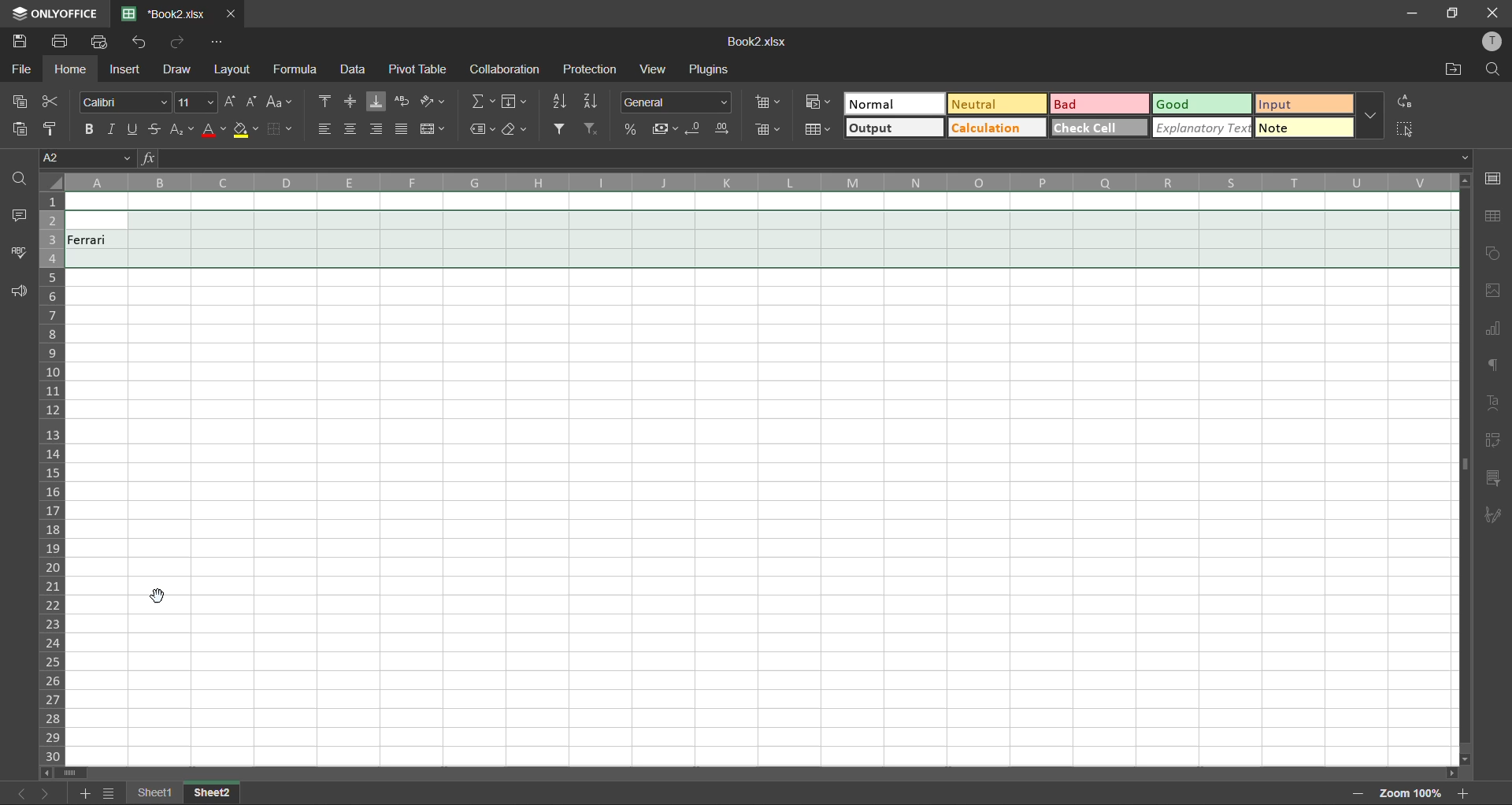 The width and height of the screenshot is (1512, 805). What do you see at coordinates (754, 239) in the screenshot?
I see `unhidden row` at bounding box center [754, 239].